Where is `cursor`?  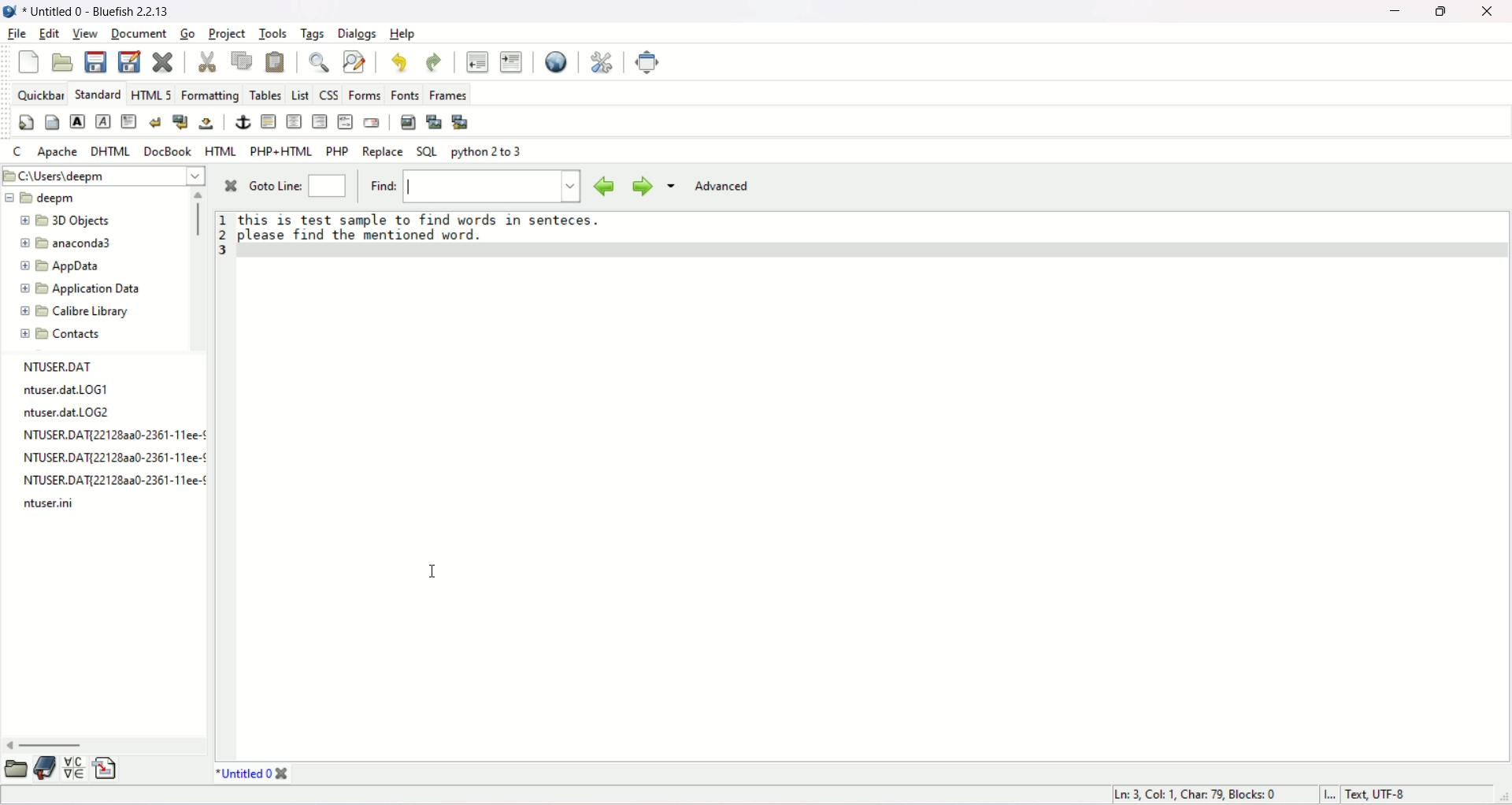 cursor is located at coordinates (432, 573).